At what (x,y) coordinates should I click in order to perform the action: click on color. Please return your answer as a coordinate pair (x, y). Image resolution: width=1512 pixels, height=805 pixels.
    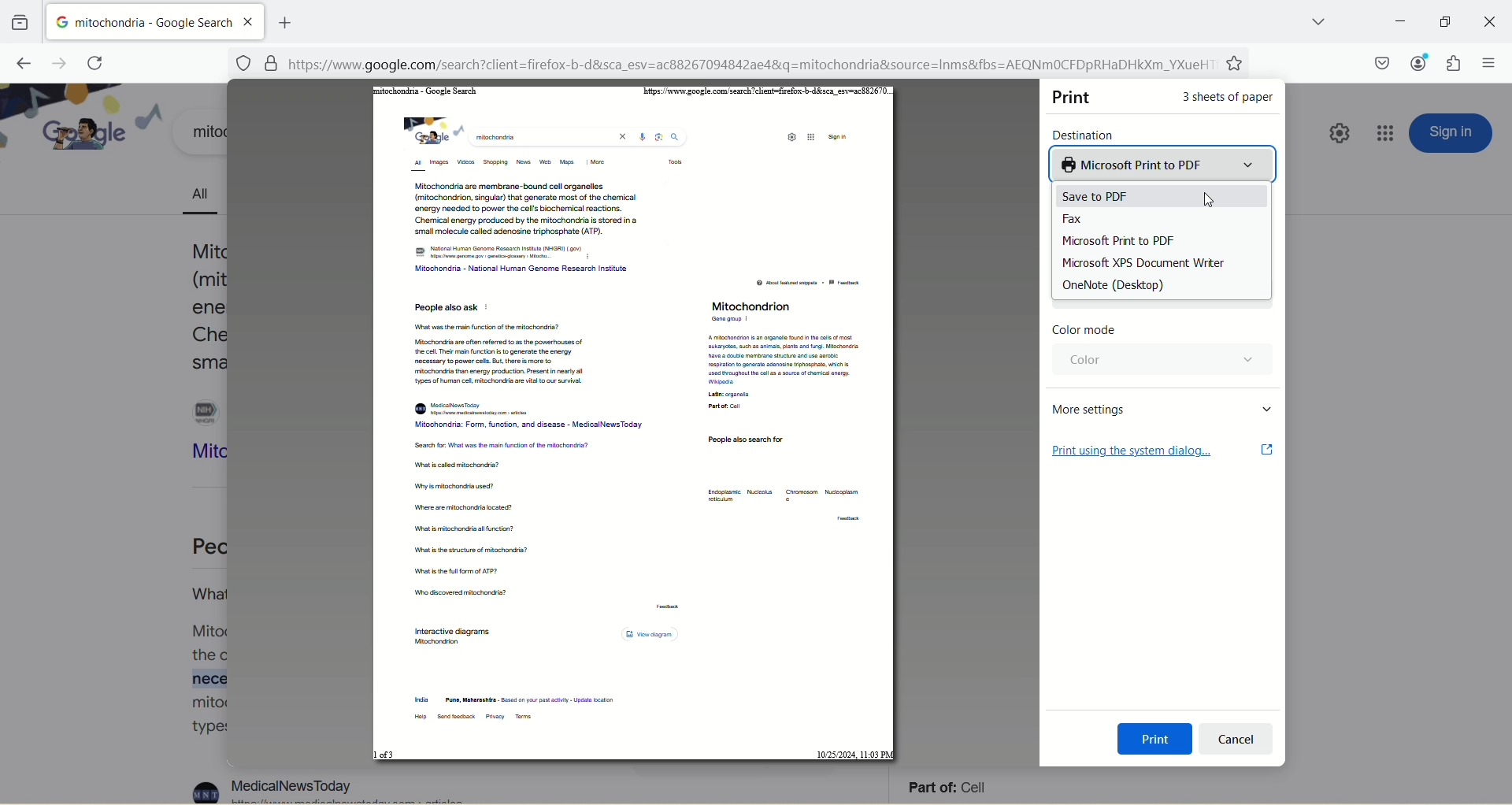
    Looking at the image, I should click on (1159, 359).